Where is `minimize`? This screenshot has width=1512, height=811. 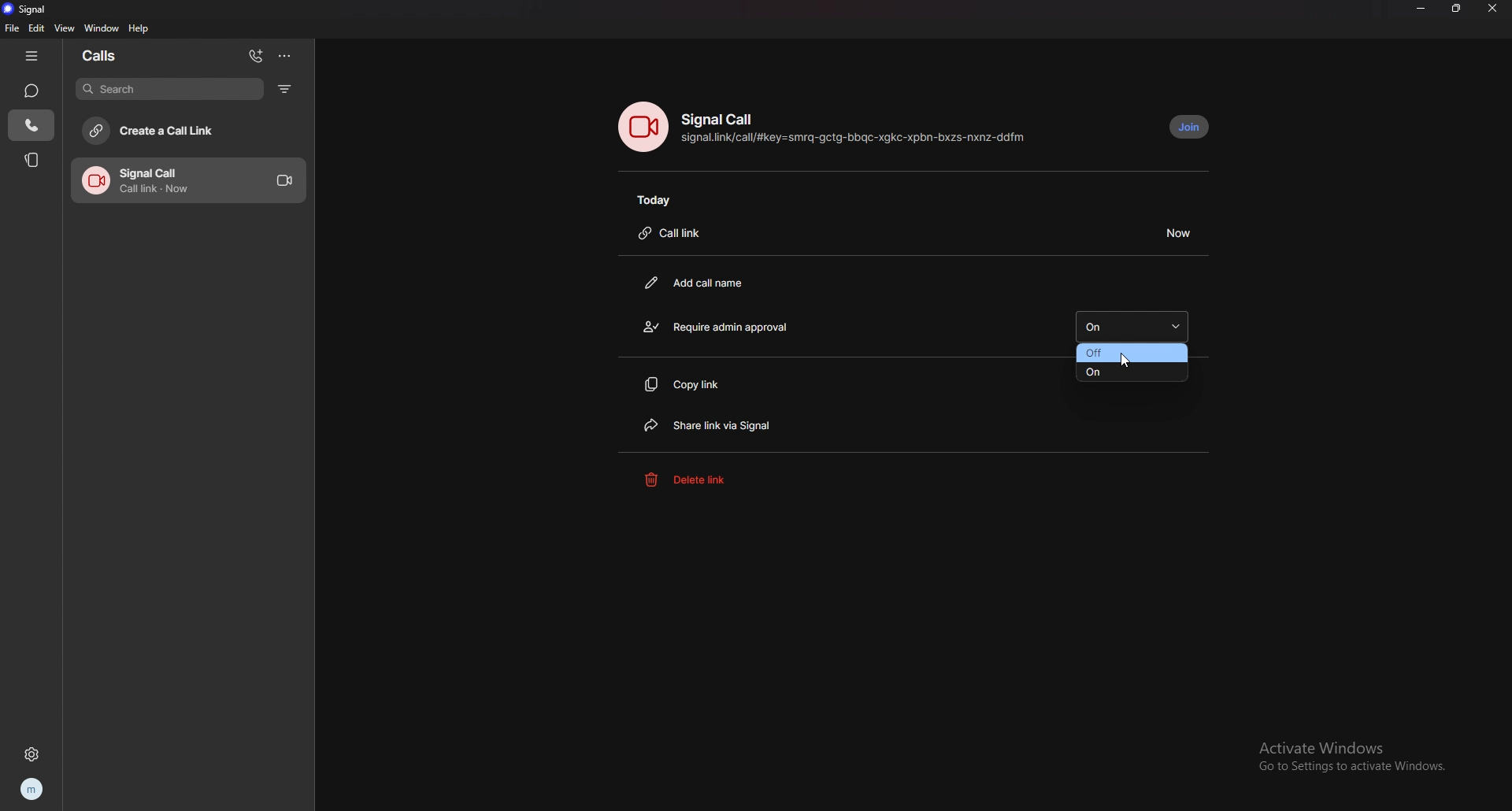
minimize is located at coordinates (1421, 8).